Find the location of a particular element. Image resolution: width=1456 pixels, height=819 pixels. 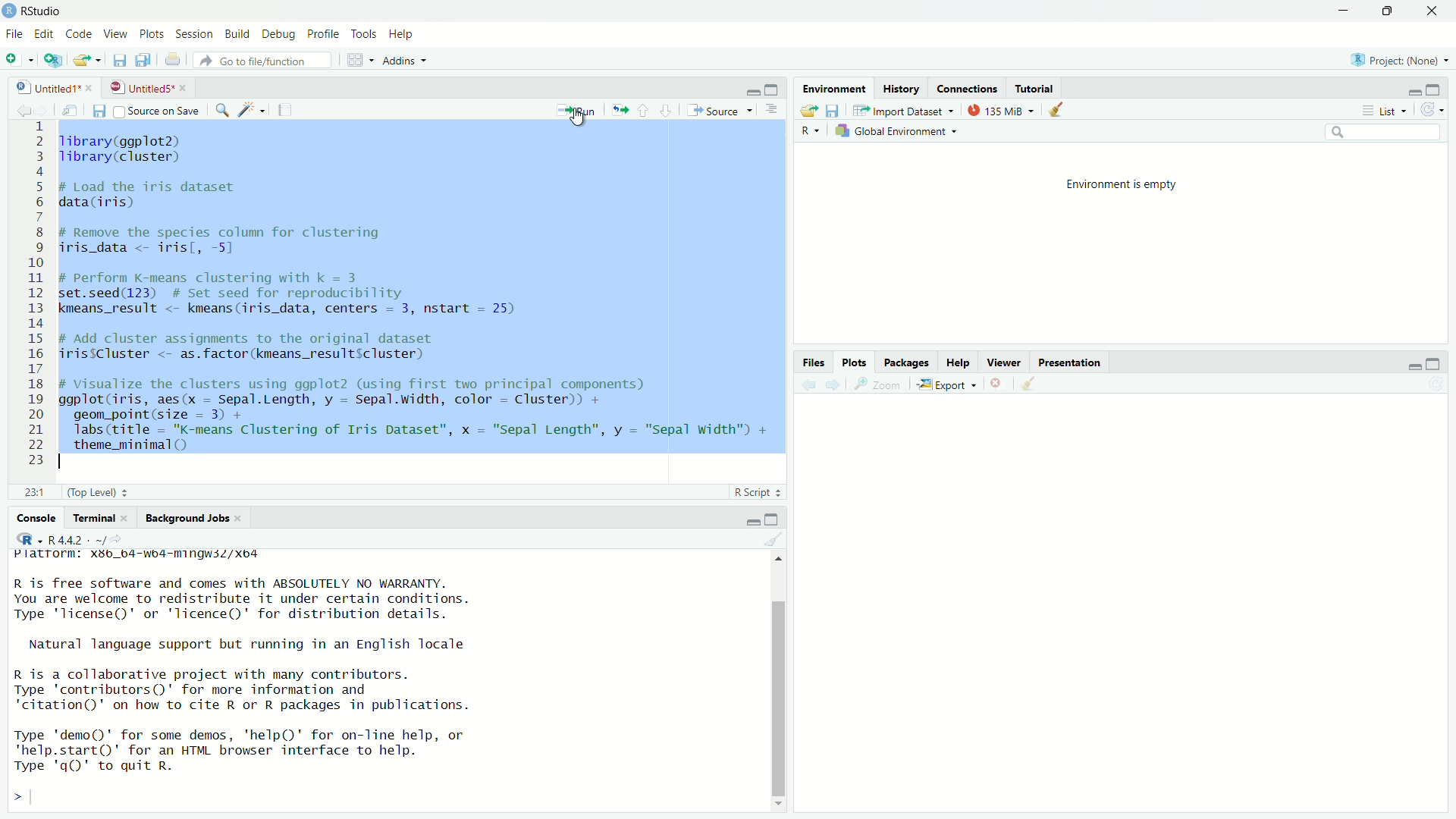

background jobs is located at coordinates (188, 518).